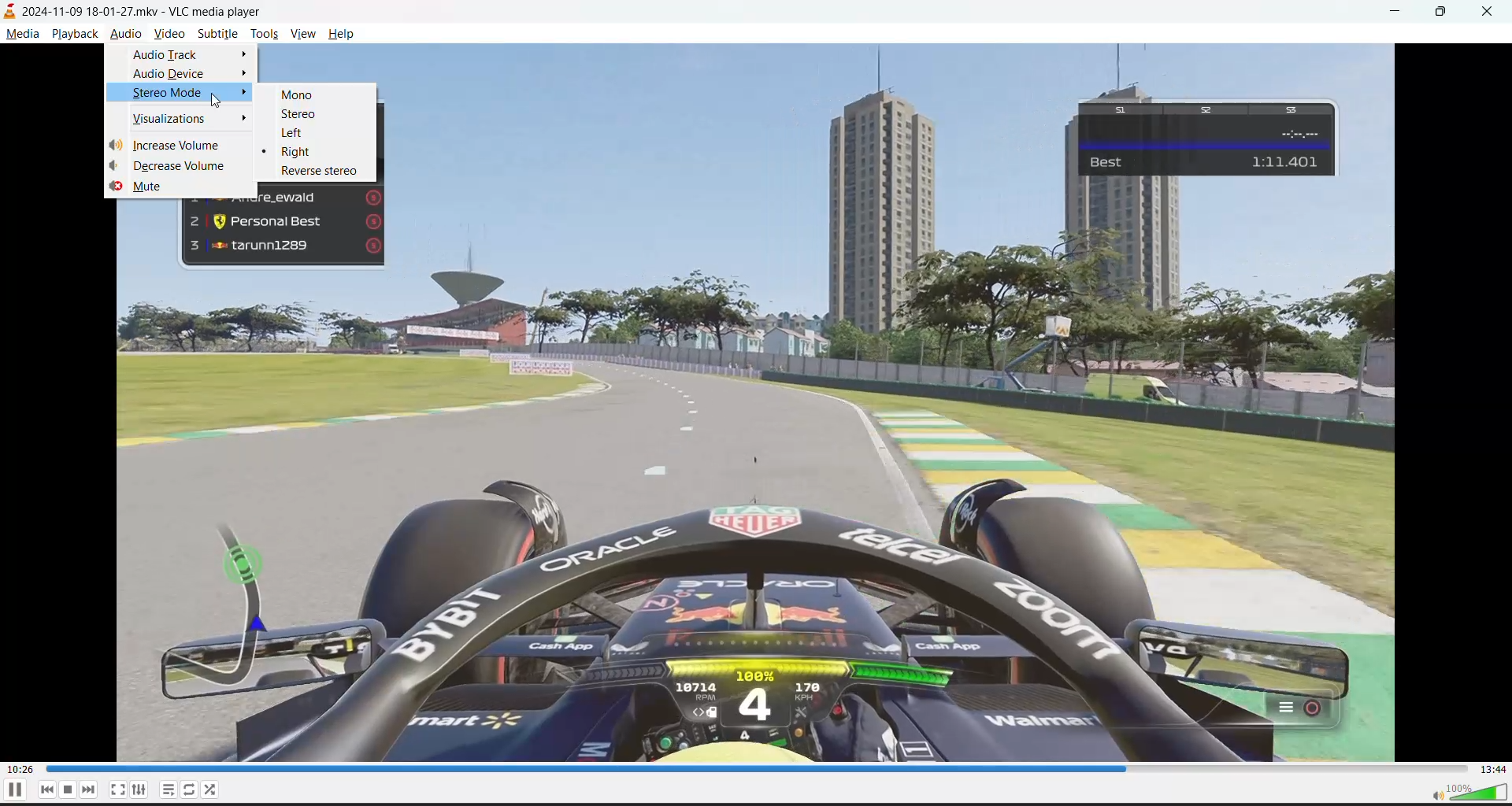 This screenshot has width=1512, height=806. I want to click on tarunn1289, so click(283, 246).